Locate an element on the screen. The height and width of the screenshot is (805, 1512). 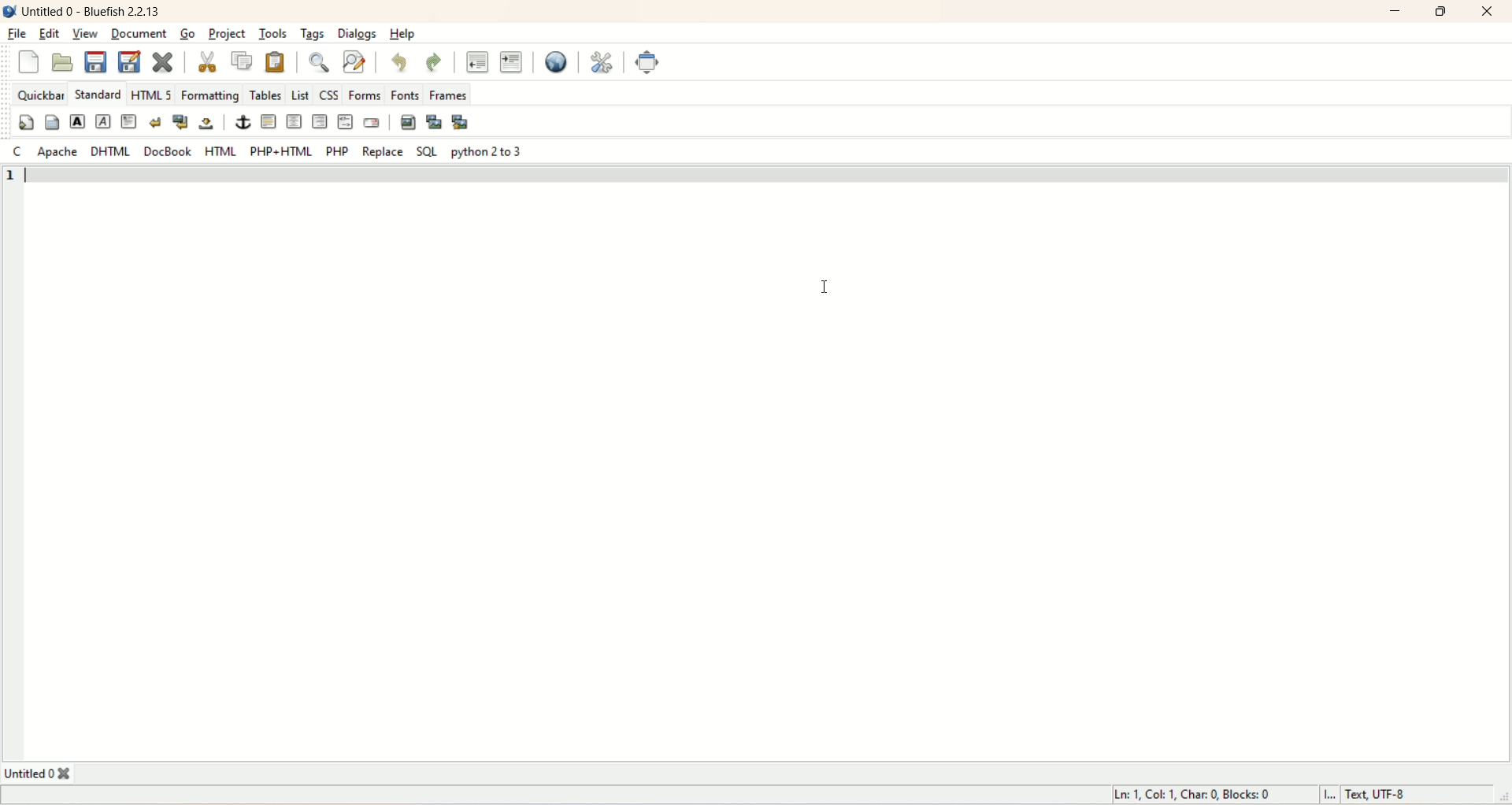
line number is located at coordinates (12, 177).